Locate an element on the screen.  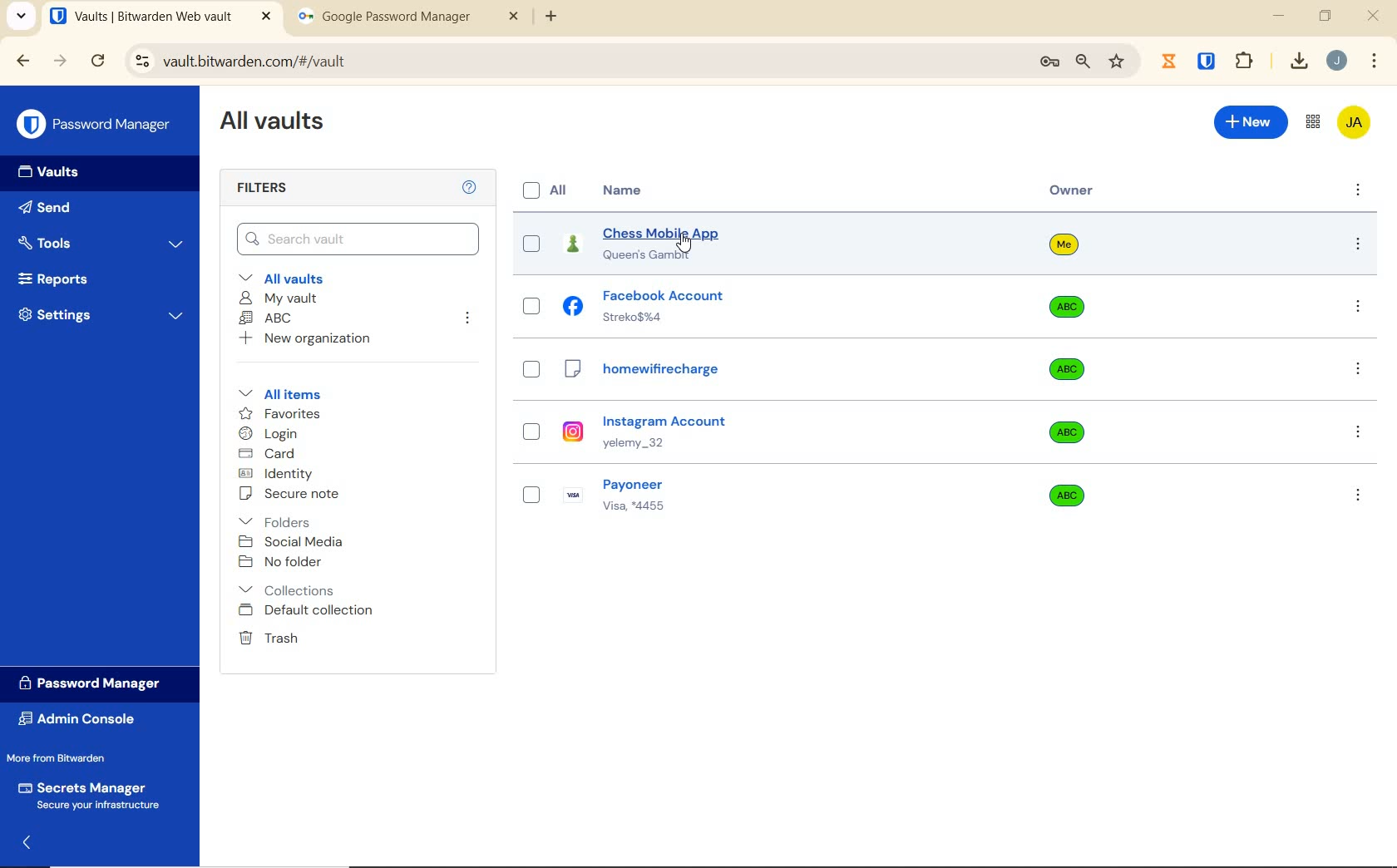
open tab is located at coordinates (163, 18).